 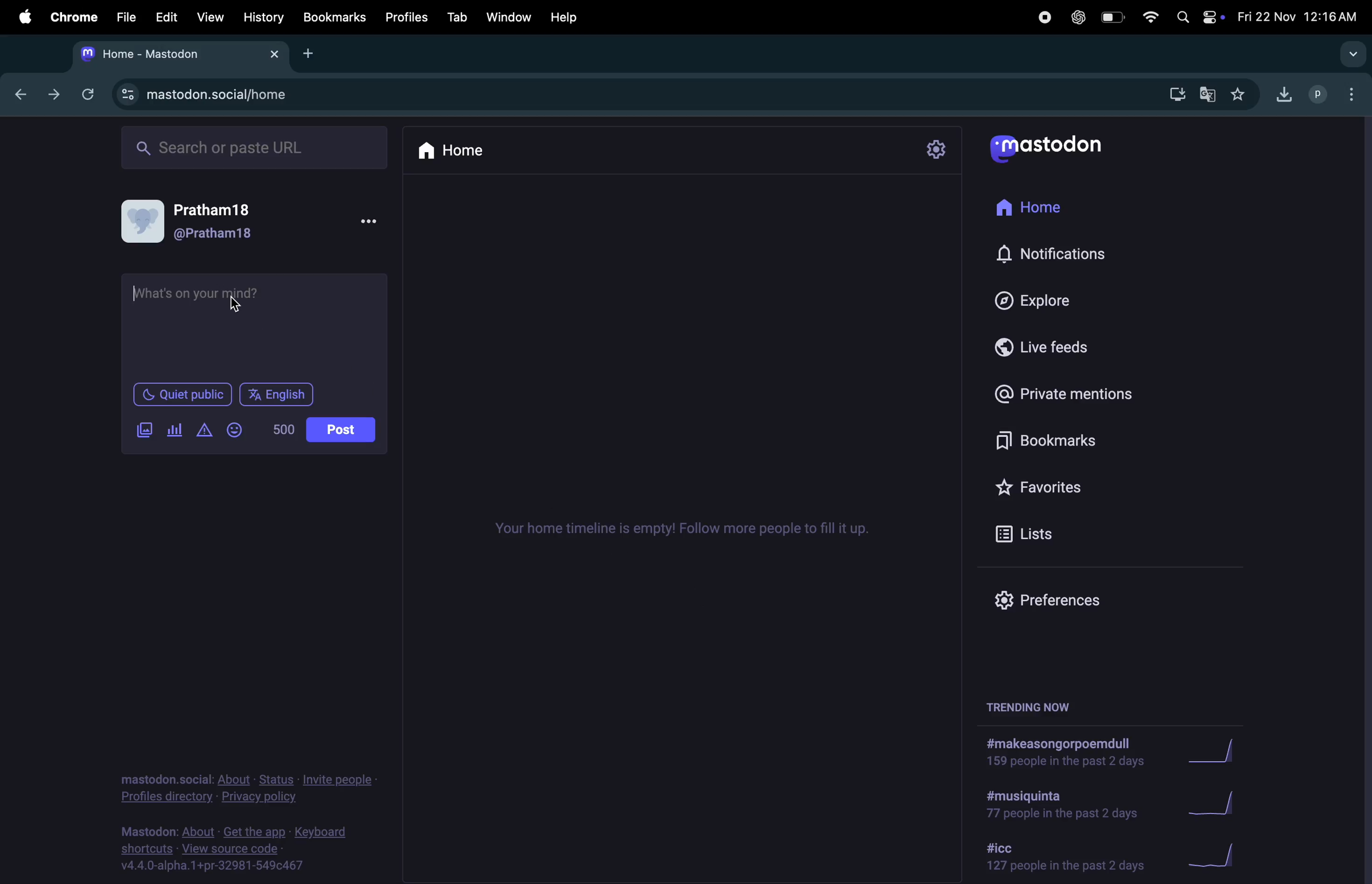 What do you see at coordinates (280, 429) in the screenshot?
I see `500 lines` at bounding box center [280, 429].